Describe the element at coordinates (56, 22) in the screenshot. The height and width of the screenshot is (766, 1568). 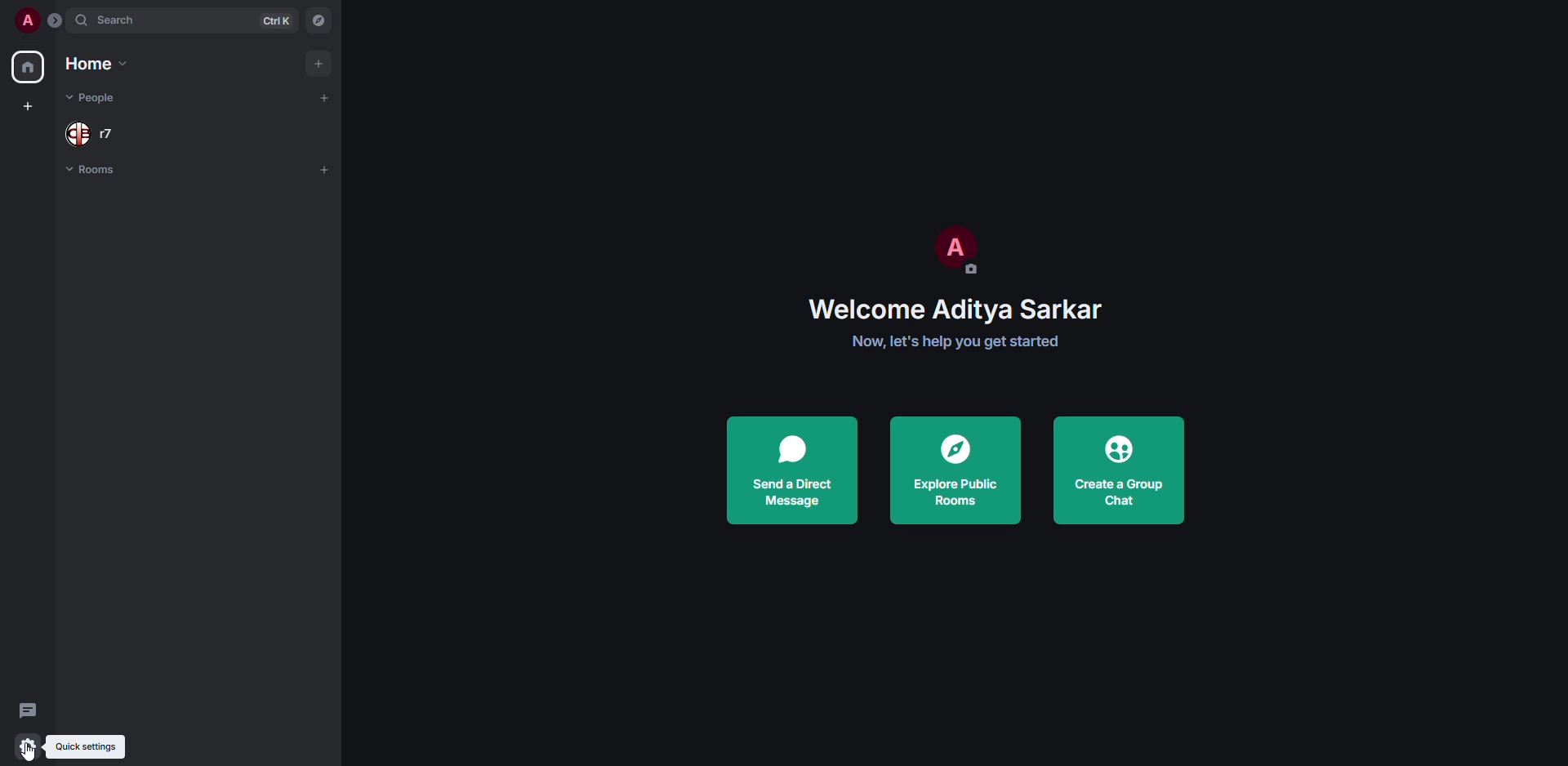
I see `expand` at that location.